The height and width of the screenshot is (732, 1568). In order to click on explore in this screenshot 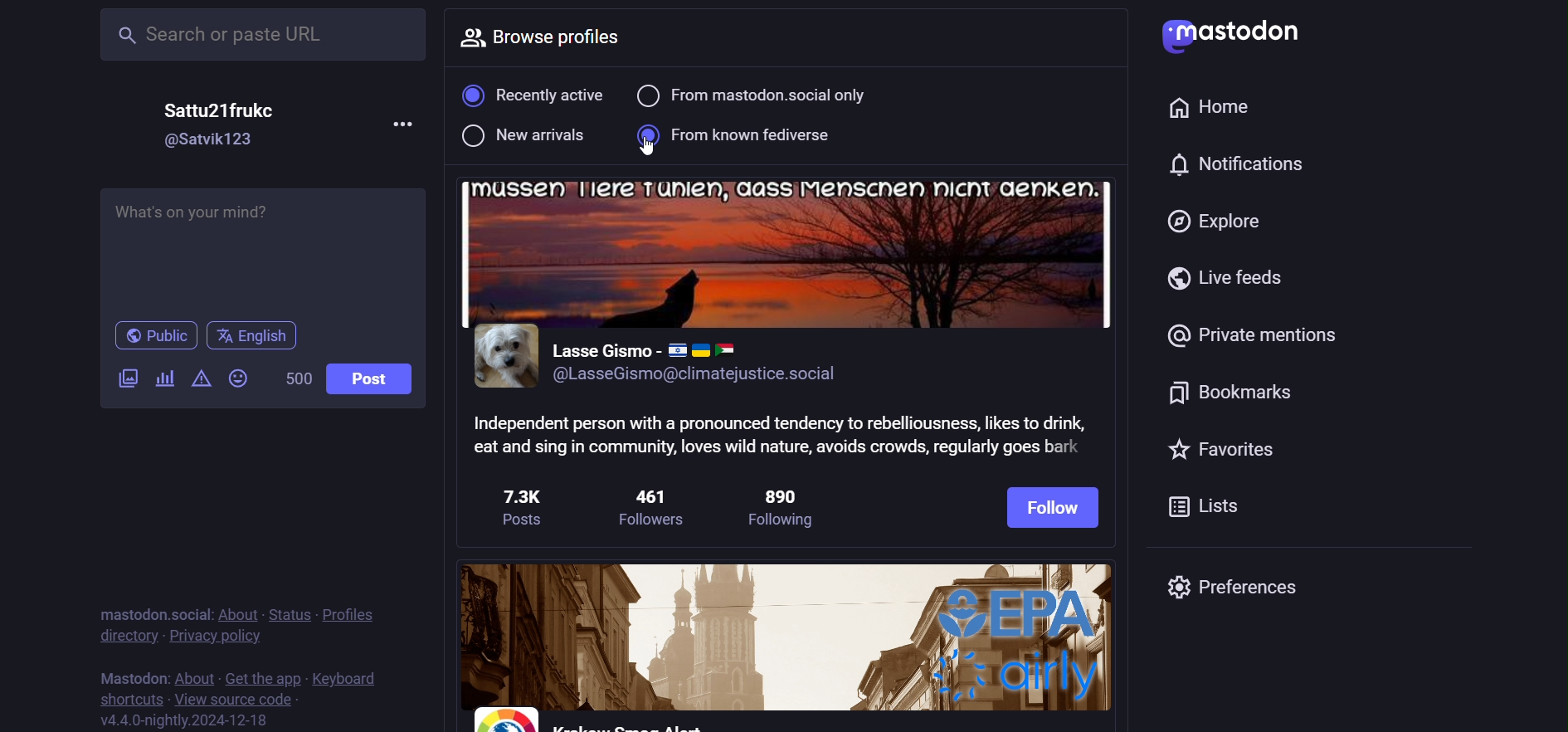, I will do `click(1217, 221)`.